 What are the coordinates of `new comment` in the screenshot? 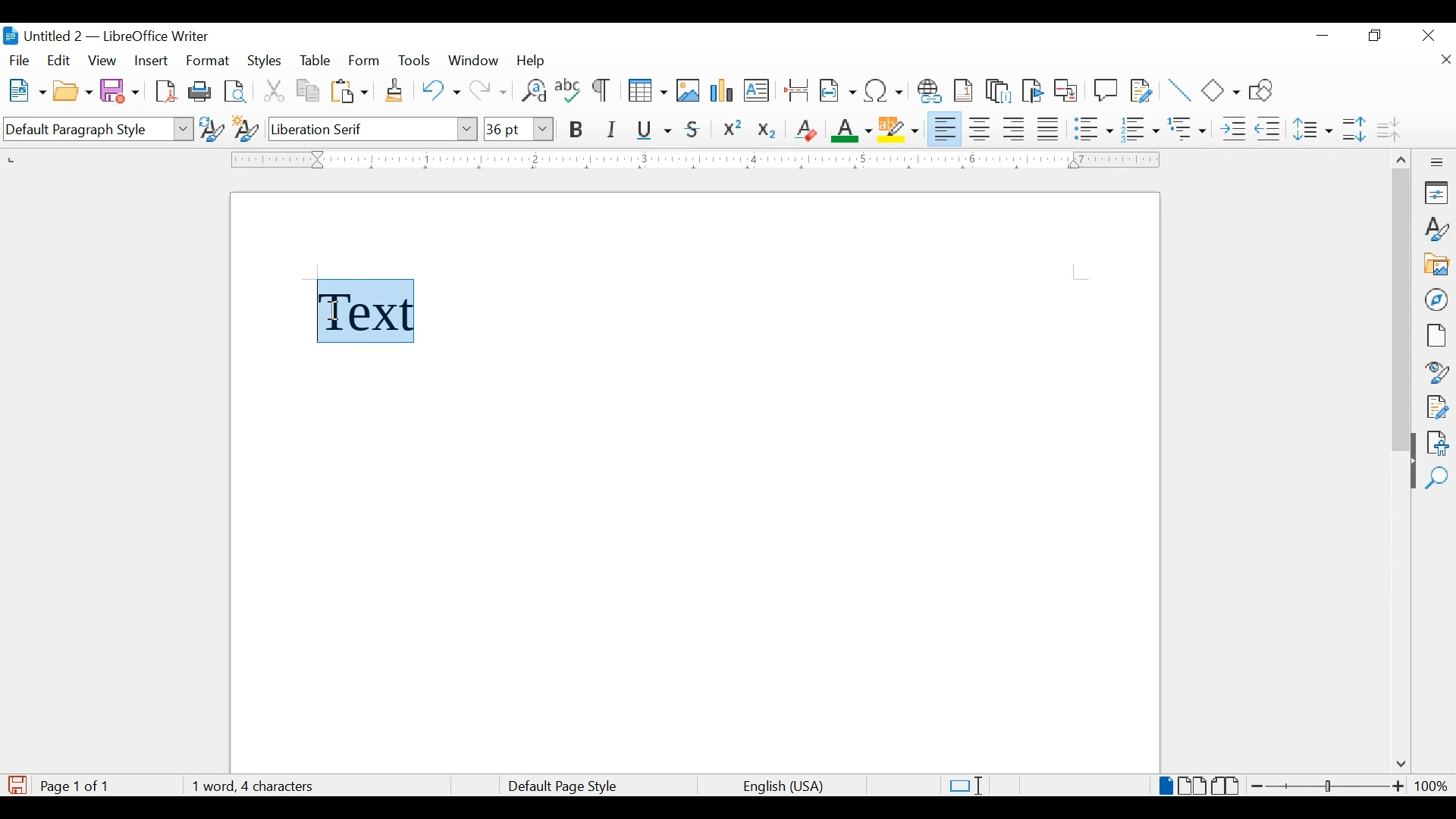 It's located at (1106, 90).